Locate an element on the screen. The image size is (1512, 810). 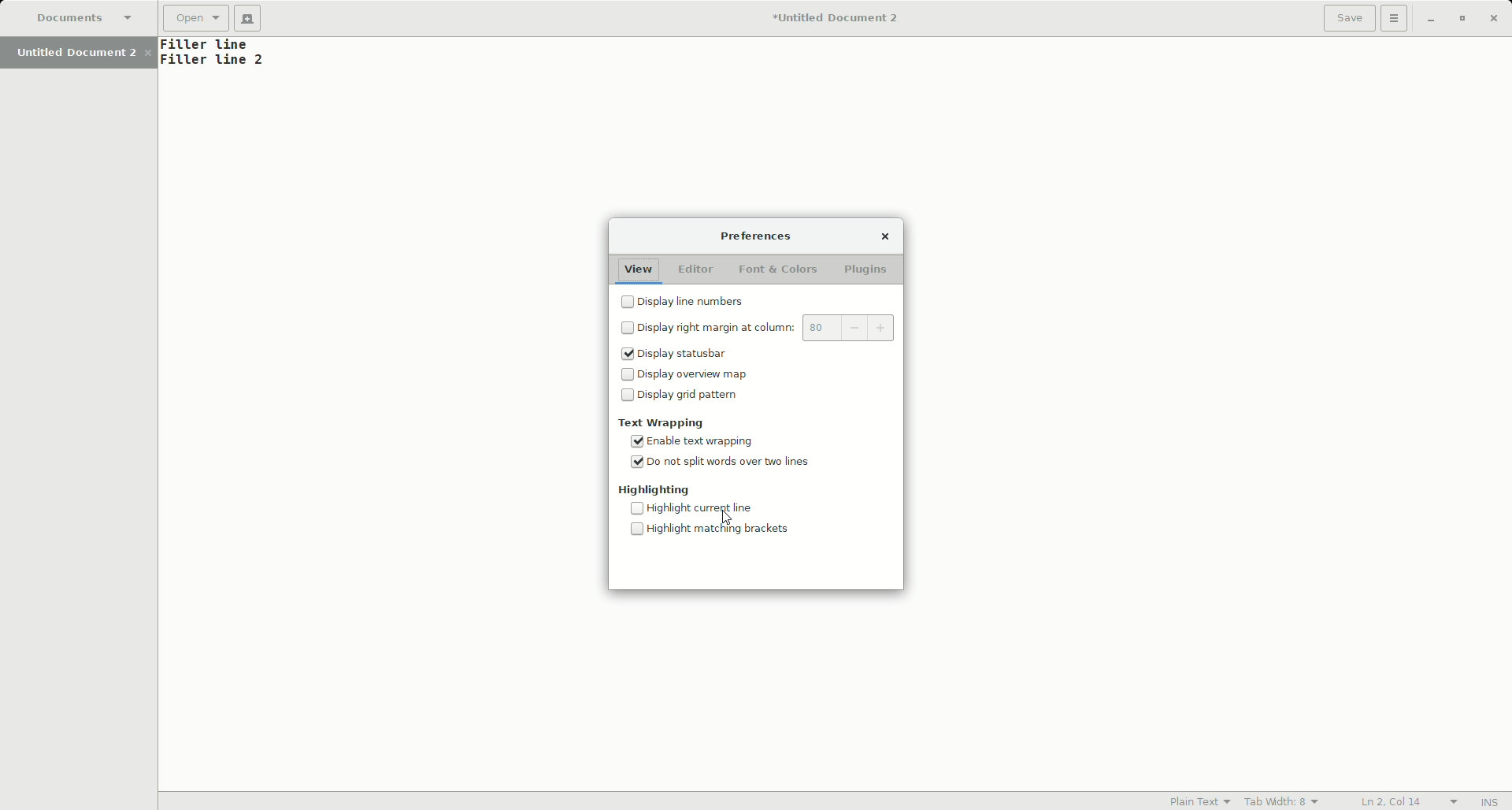
Save is located at coordinates (1349, 18).